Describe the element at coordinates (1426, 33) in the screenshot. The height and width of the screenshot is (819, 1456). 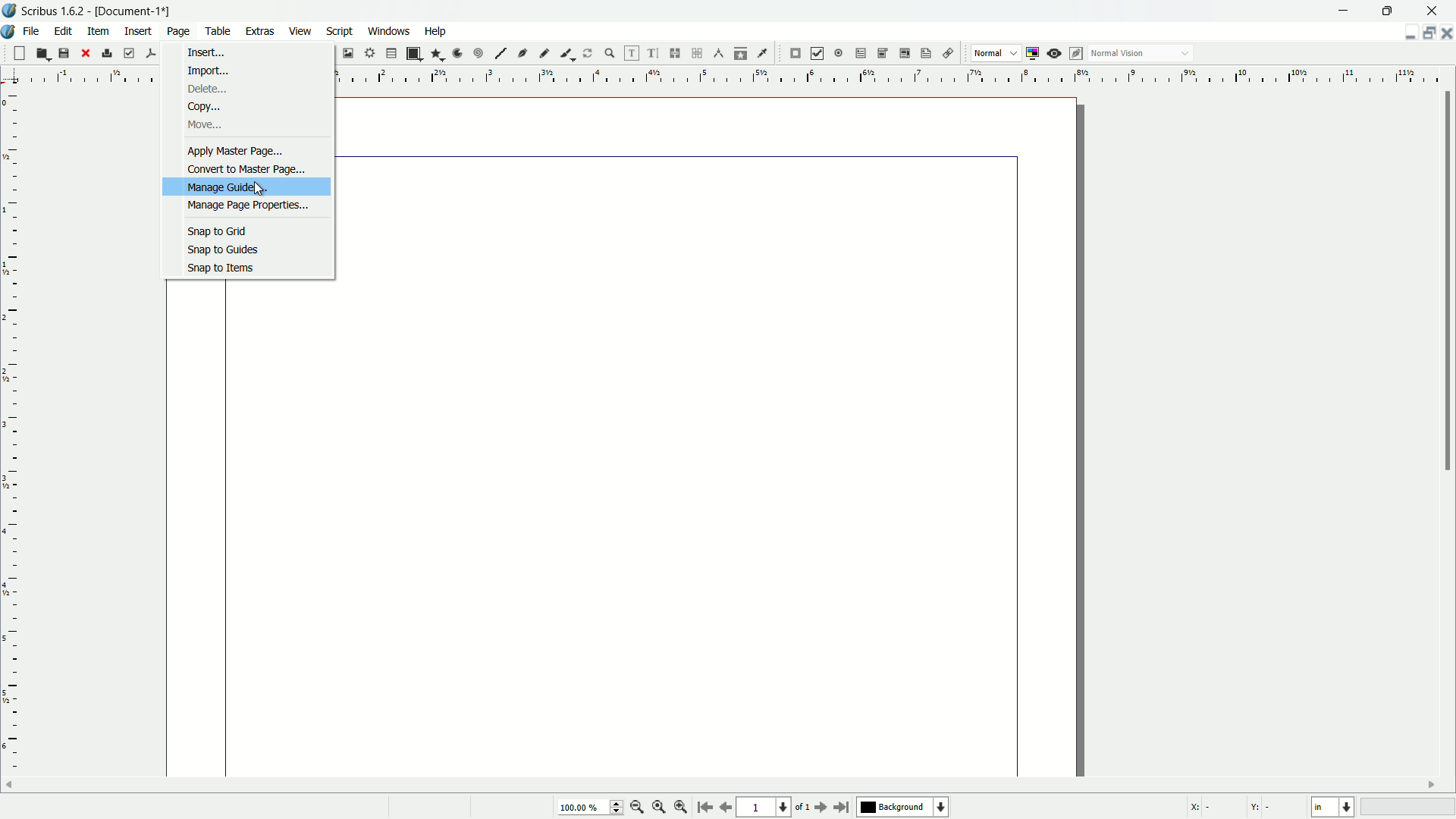
I see `change layout` at that location.